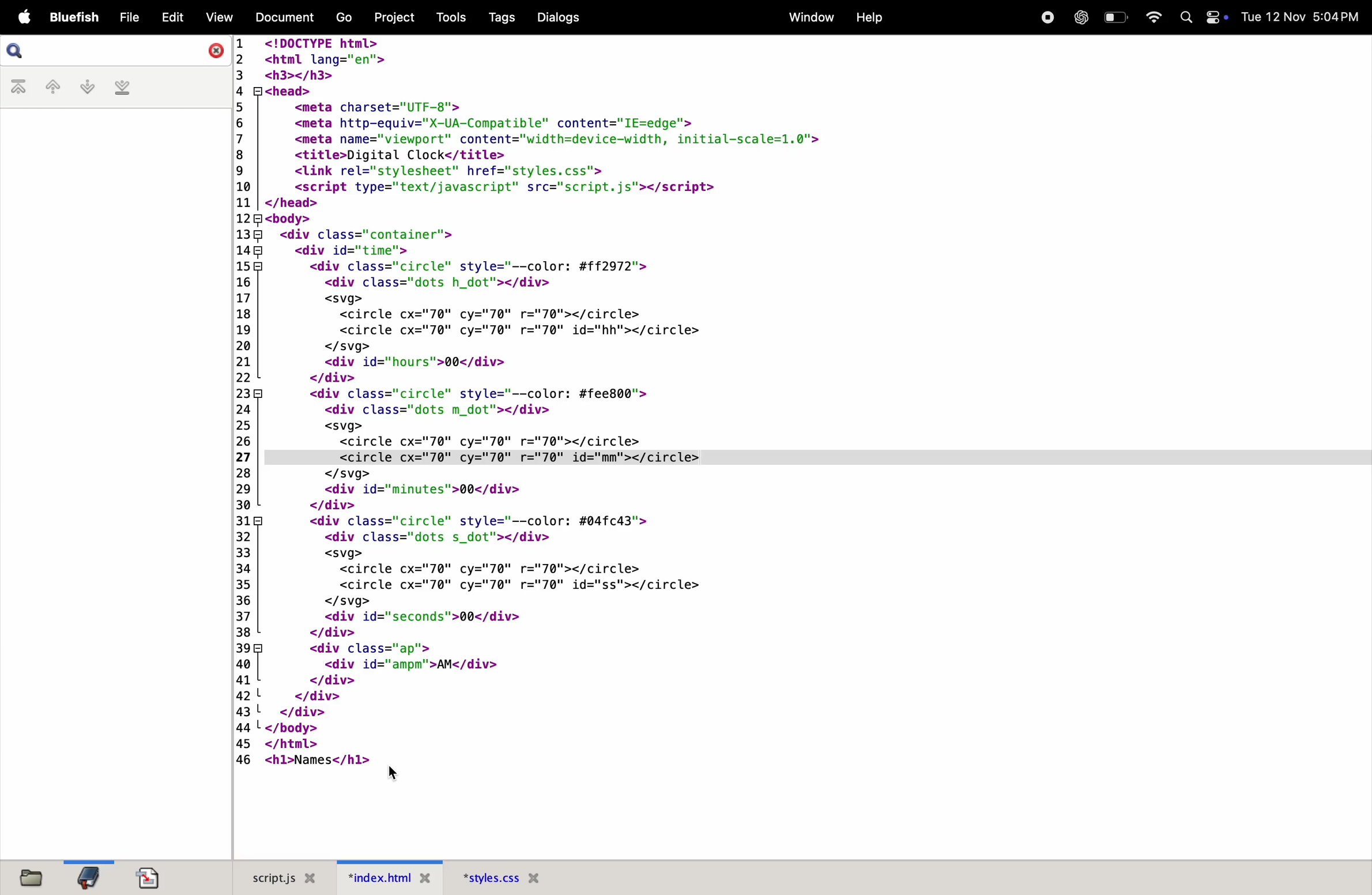 Image resolution: width=1372 pixels, height=895 pixels. What do you see at coordinates (35, 877) in the screenshot?
I see `file` at bounding box center [35, 877].